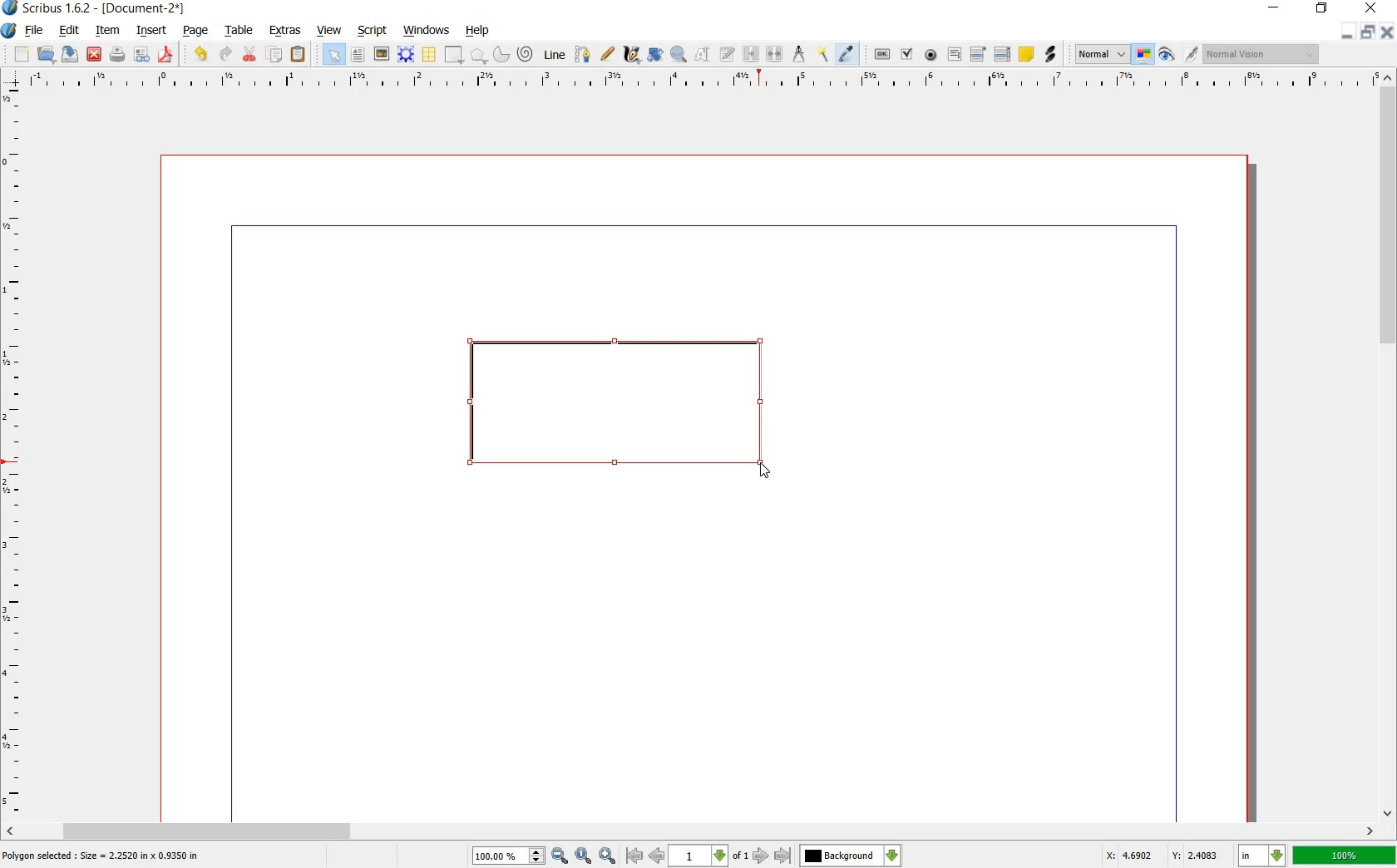 This screenshot has width=1397, height=868. I want to click on TABLE, so click(430, 55).